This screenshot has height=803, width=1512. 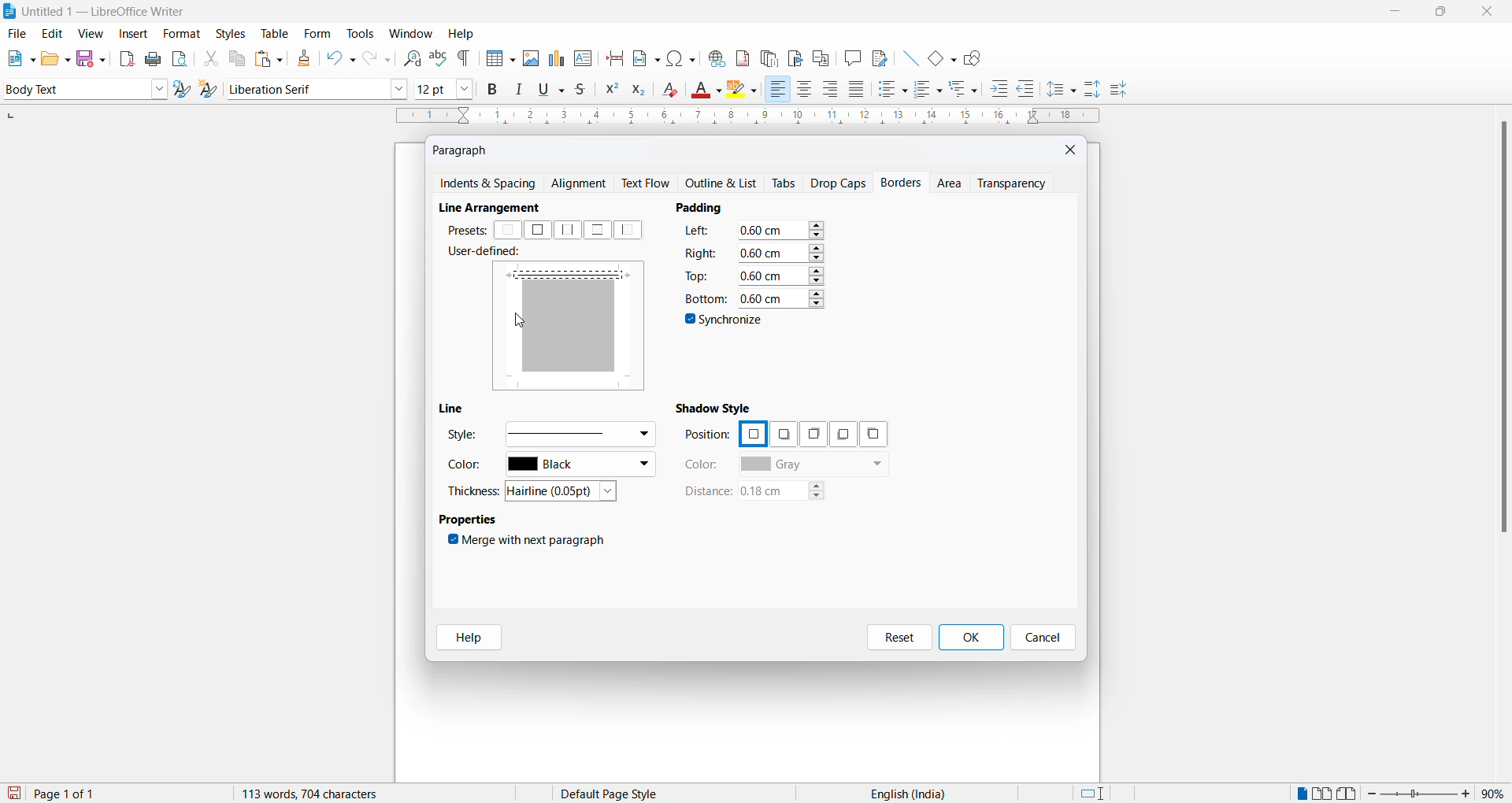 What do you see at coordinates (714, 56) in the screenshot?
I see `insert hyperlink` at bounding box center [714, 56].